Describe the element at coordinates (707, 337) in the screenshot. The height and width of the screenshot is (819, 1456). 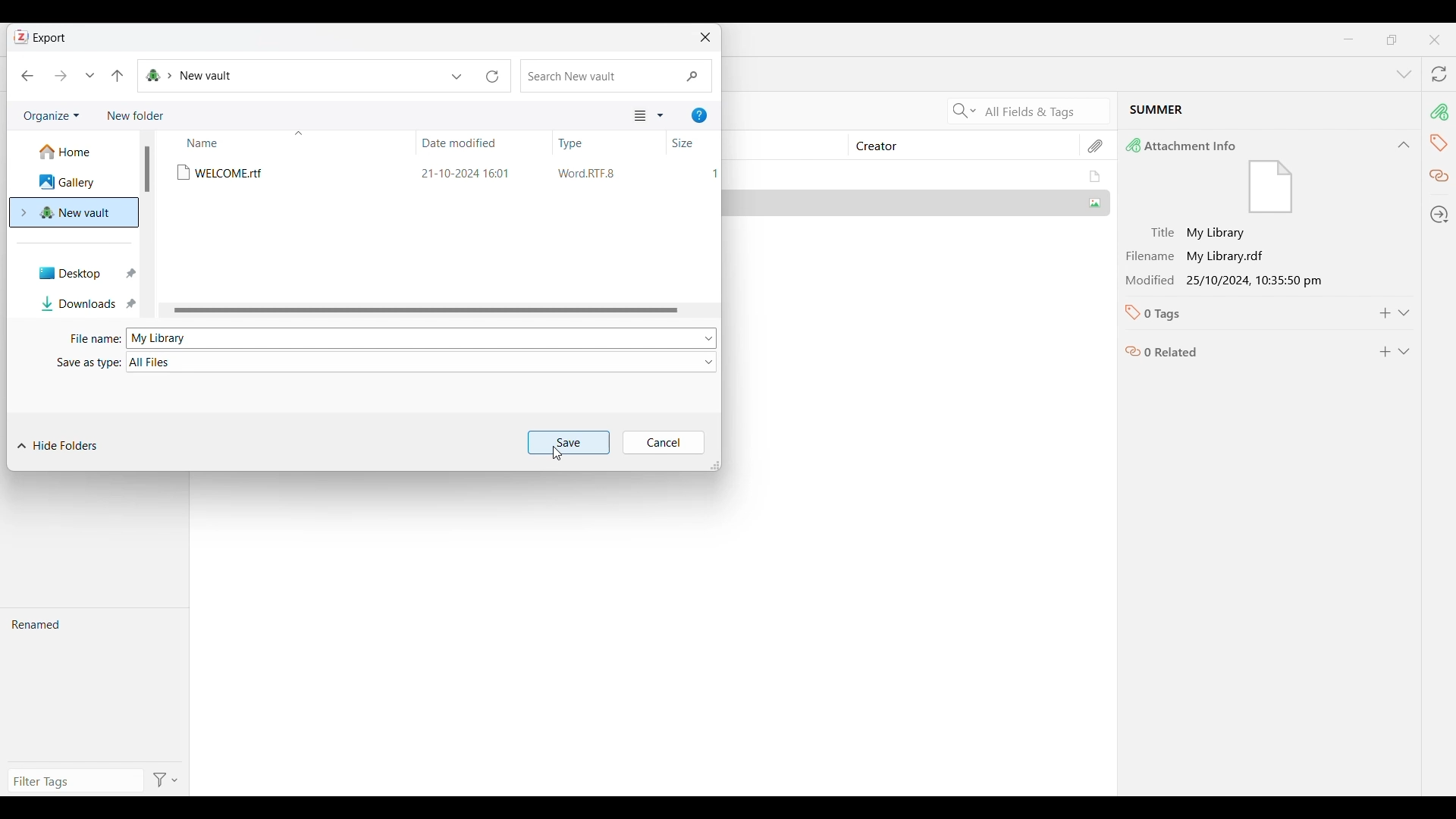
I see `File options` at that location.